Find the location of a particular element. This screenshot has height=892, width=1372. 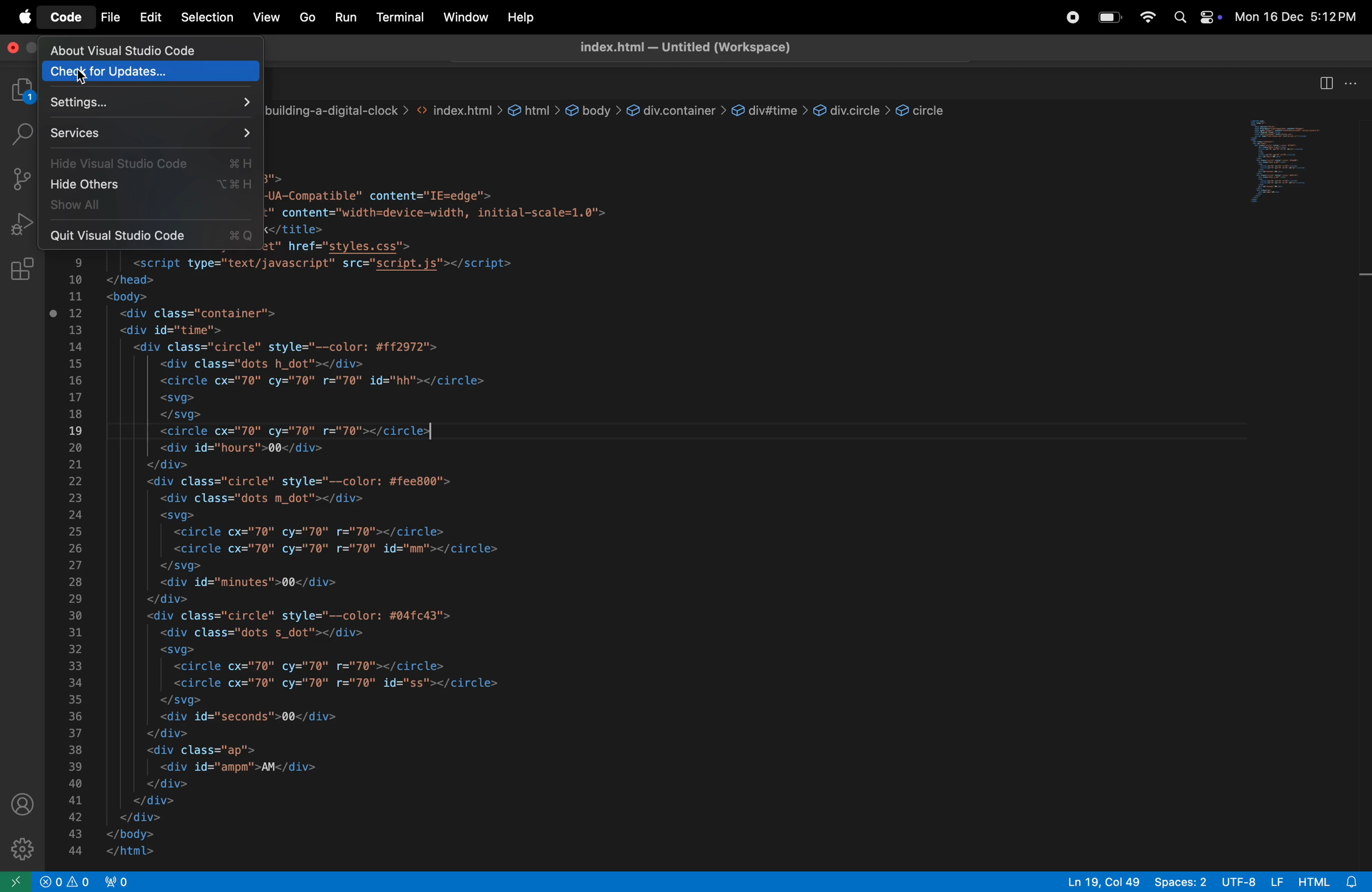

extensions is located at coordinates (22, 271).